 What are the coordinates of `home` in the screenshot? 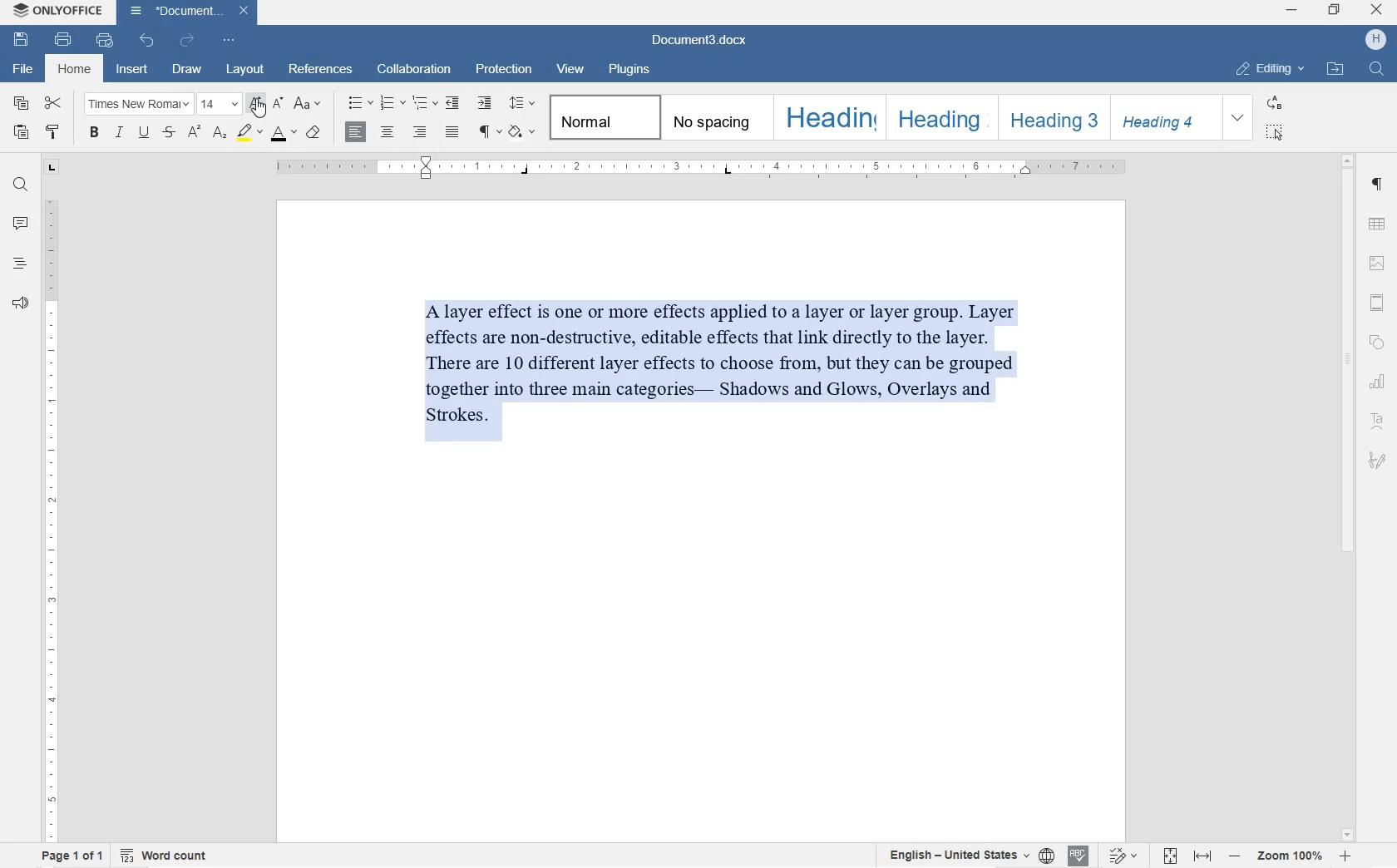 It's located at (78, 70).